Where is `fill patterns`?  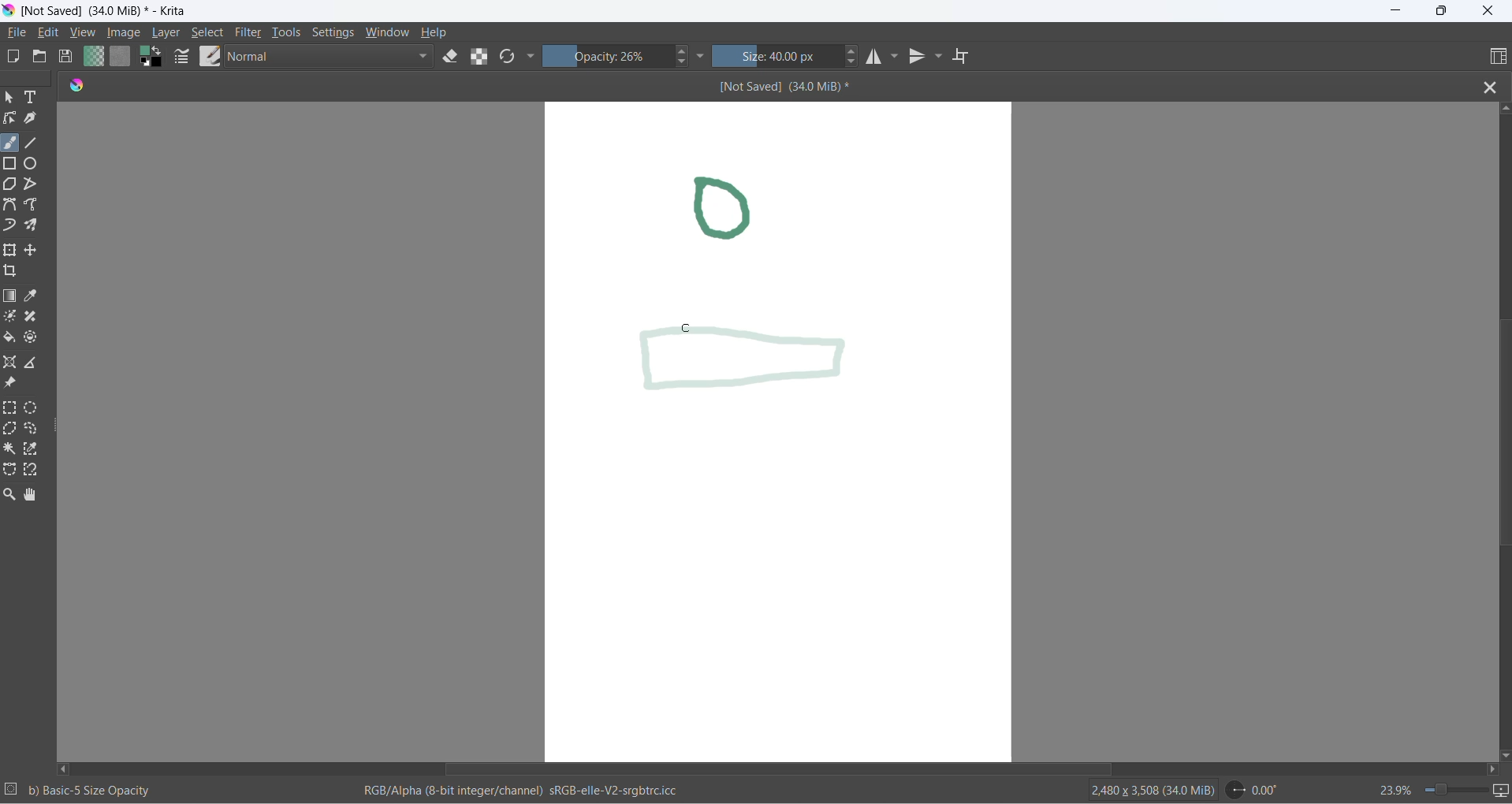 fill patterns is located at coordinates (122, 56).